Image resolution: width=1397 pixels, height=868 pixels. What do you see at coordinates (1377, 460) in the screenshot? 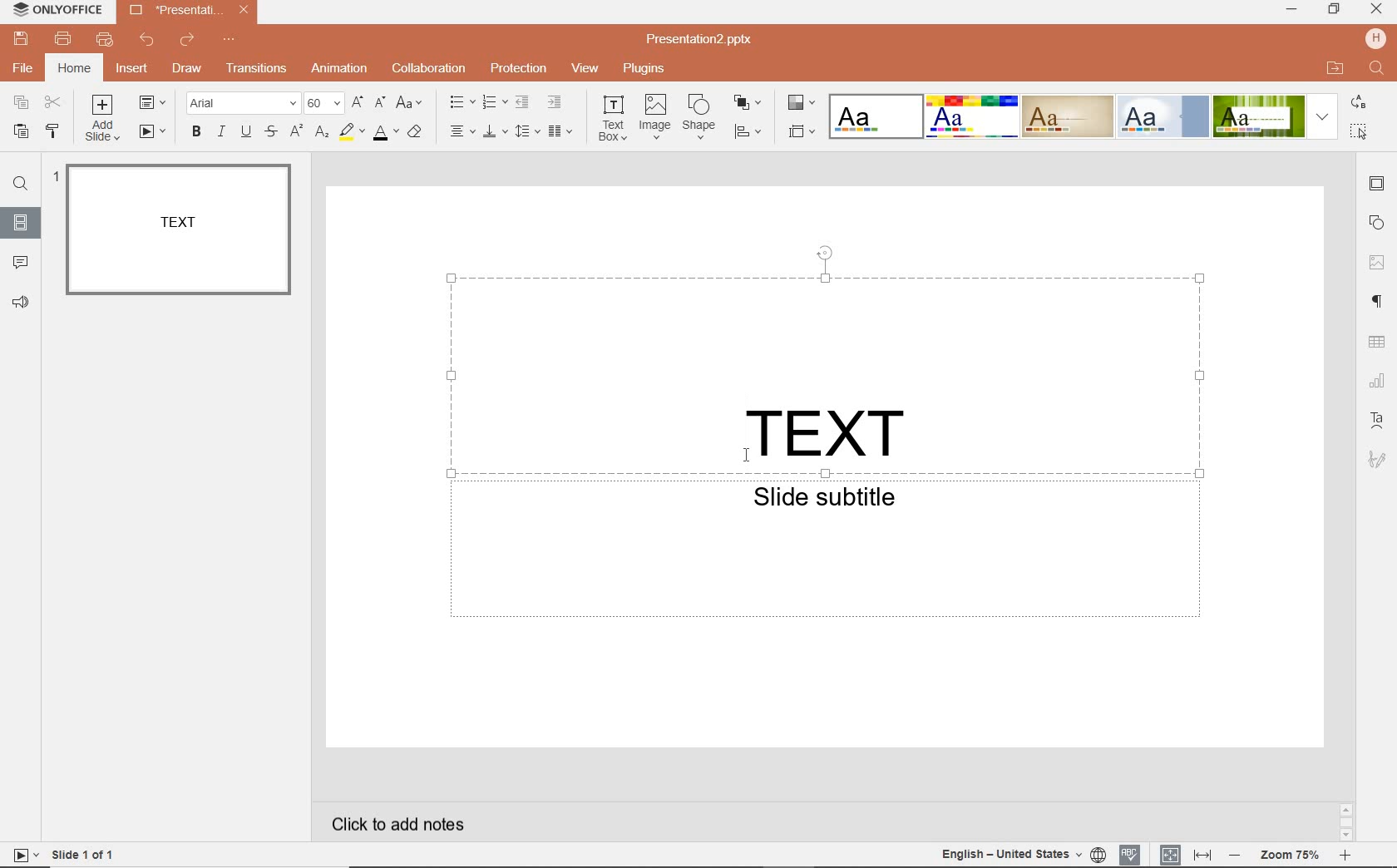
I see `SIGNATURE` at bounding box center [1377, 460].